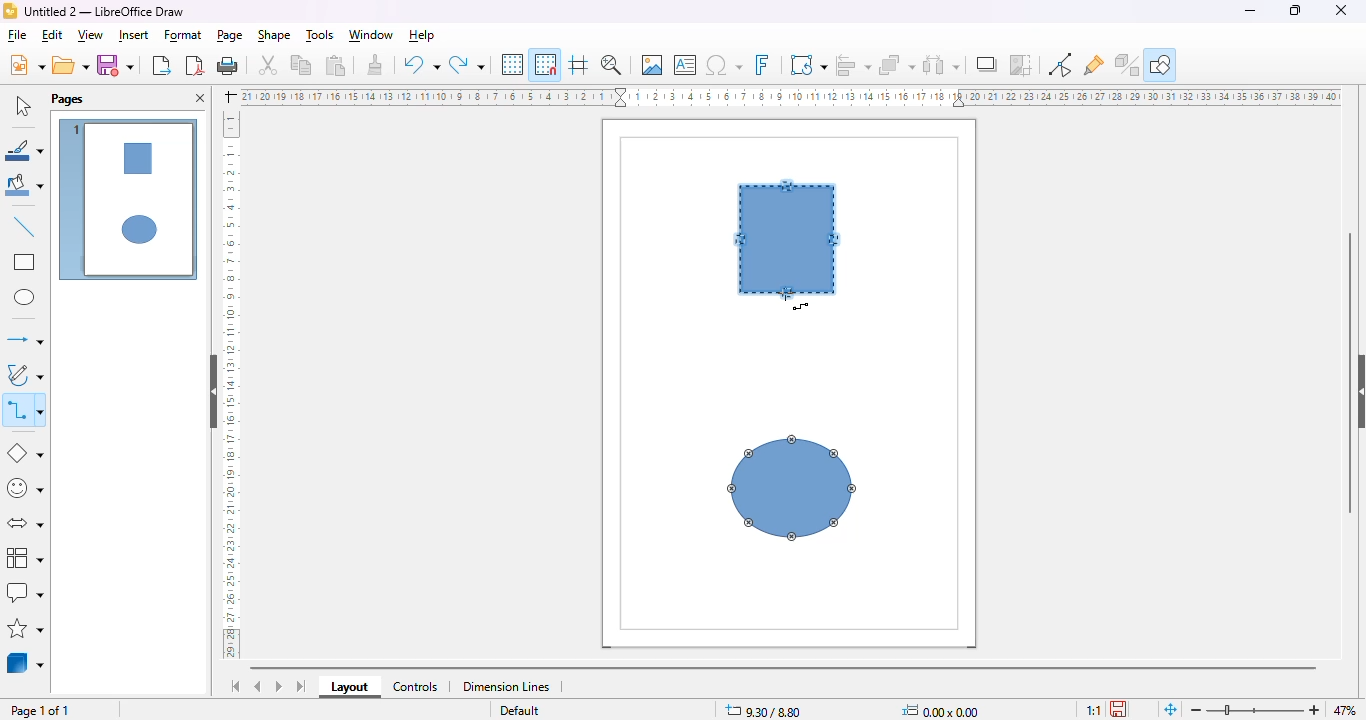 Image resolution: width=1366 pixels, height=720 pixels. What do you see at coordinates (279, 686) in the screenshot?
I see `scroll to next sheet` at bounding box center [279, 686].